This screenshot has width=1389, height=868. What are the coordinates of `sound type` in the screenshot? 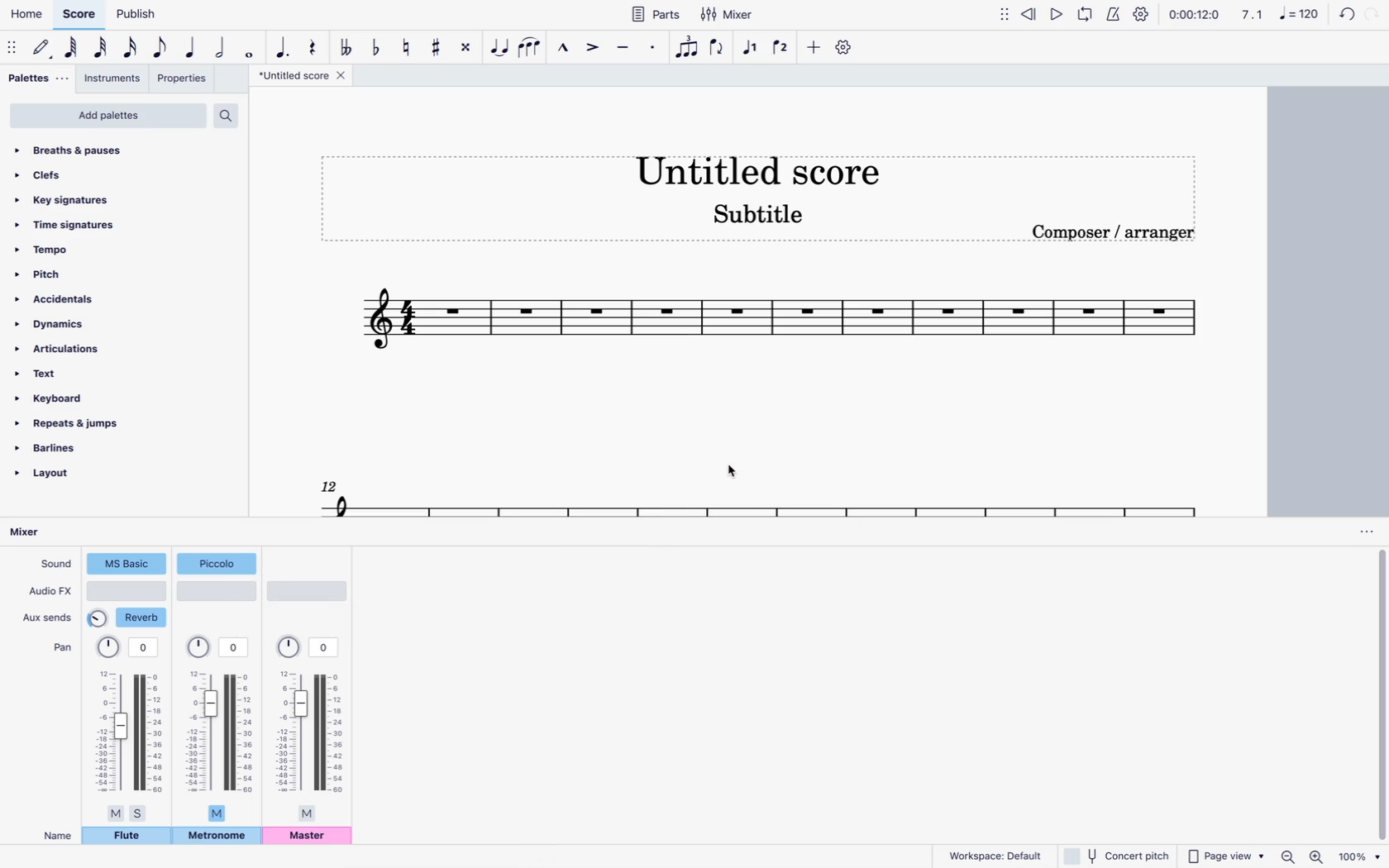 It's located at (126, 565).